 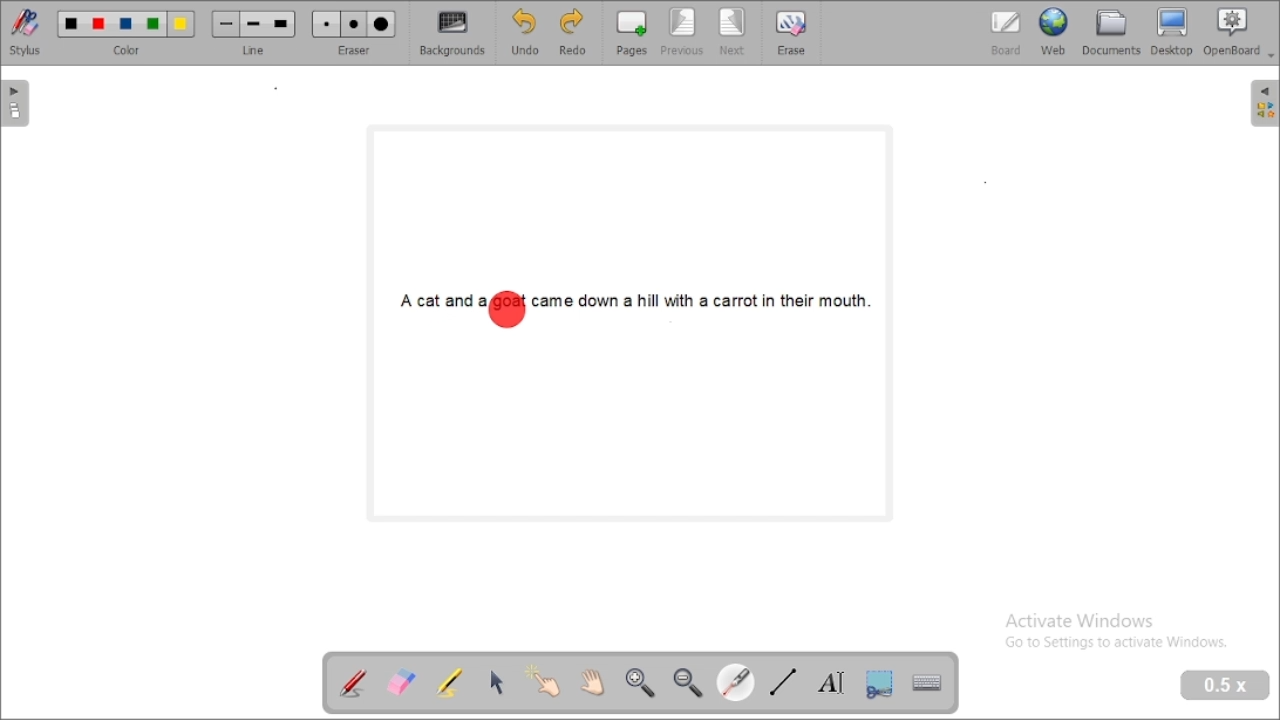 I want to click on annotate document, so click(x=354, y=682).